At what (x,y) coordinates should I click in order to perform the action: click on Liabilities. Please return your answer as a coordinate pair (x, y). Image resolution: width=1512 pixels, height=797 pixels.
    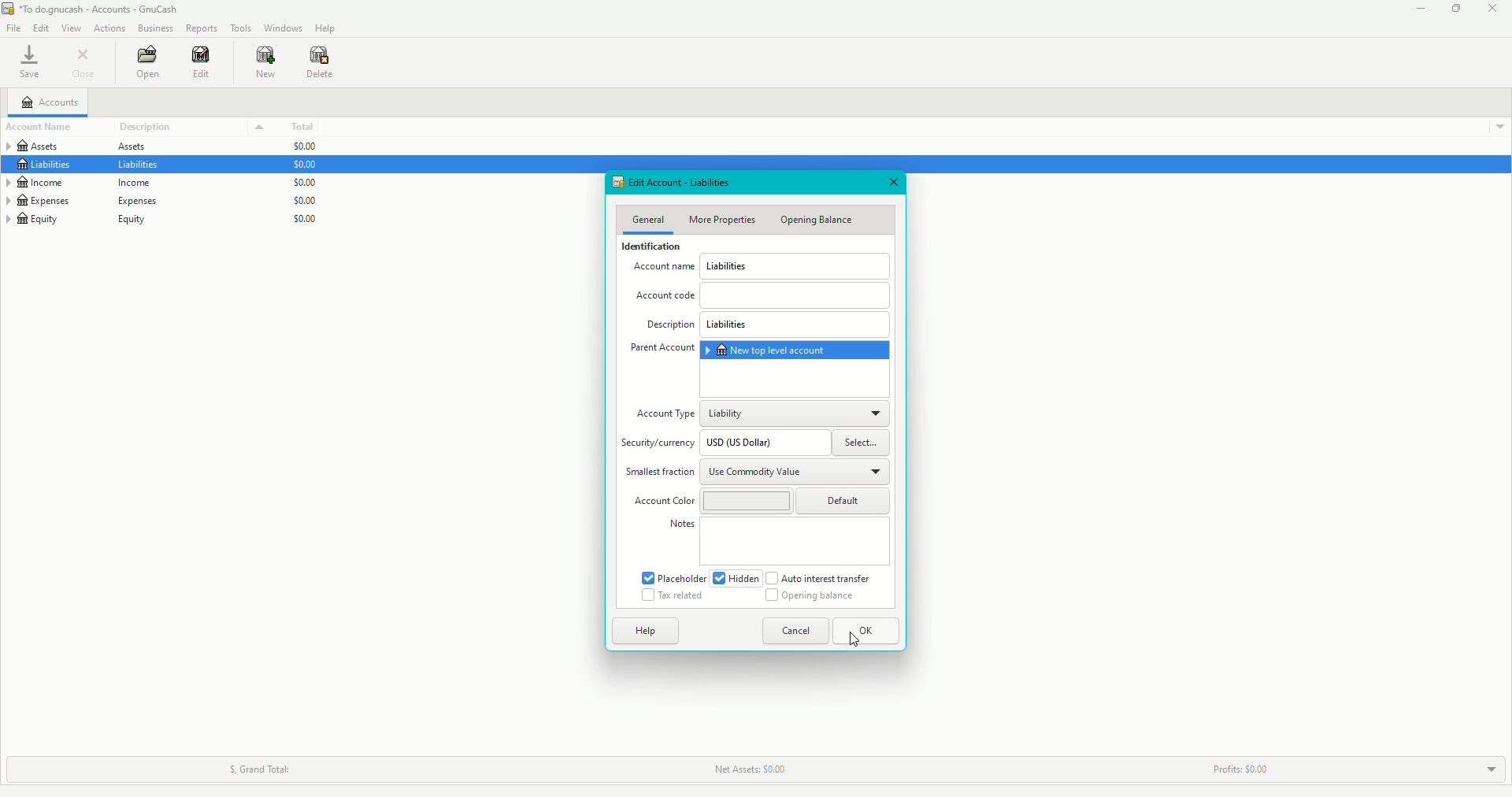
    Looking at the image, I should click on (796, 326).